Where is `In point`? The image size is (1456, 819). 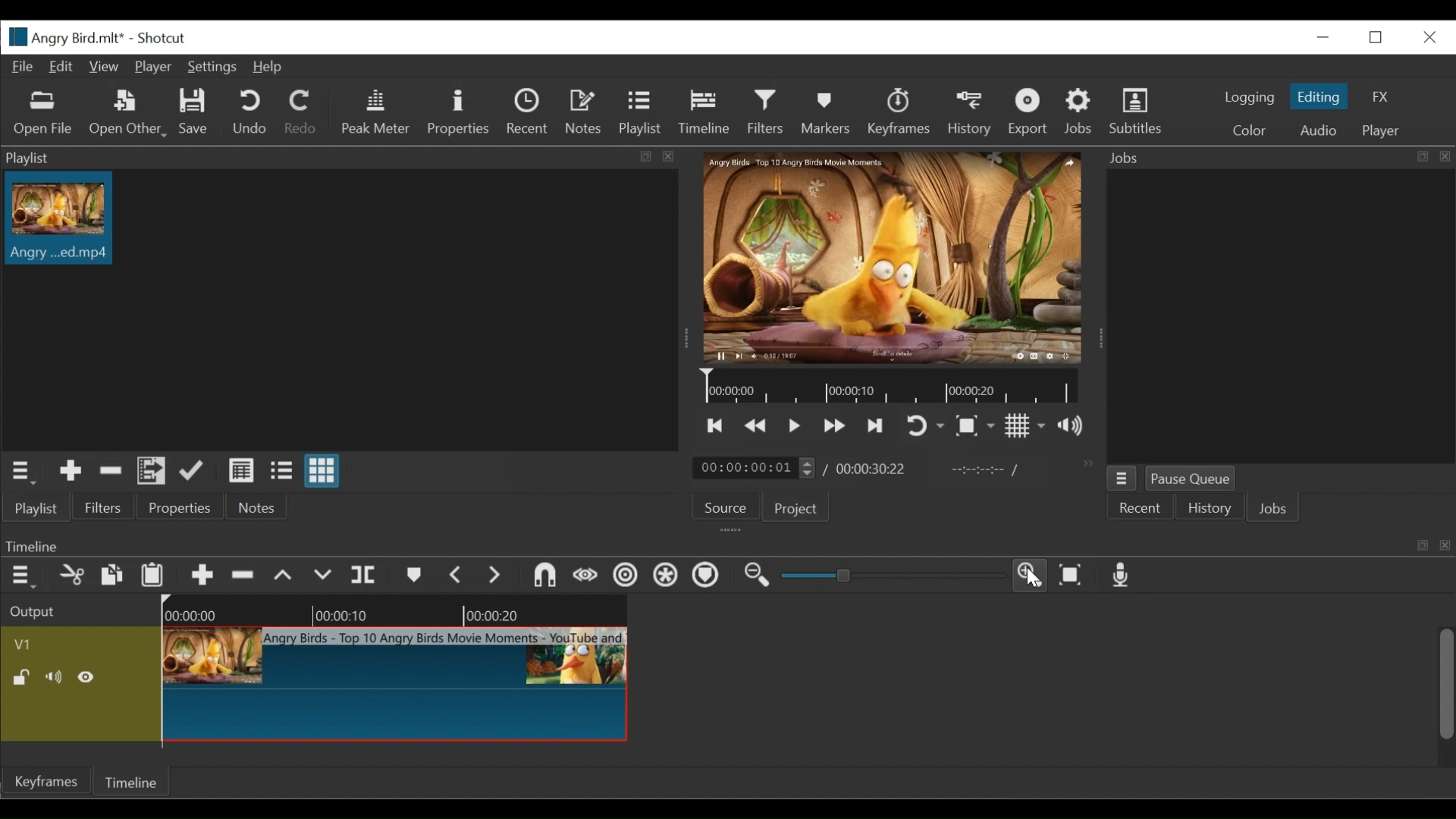
In point is located at coordinates (984, 469).